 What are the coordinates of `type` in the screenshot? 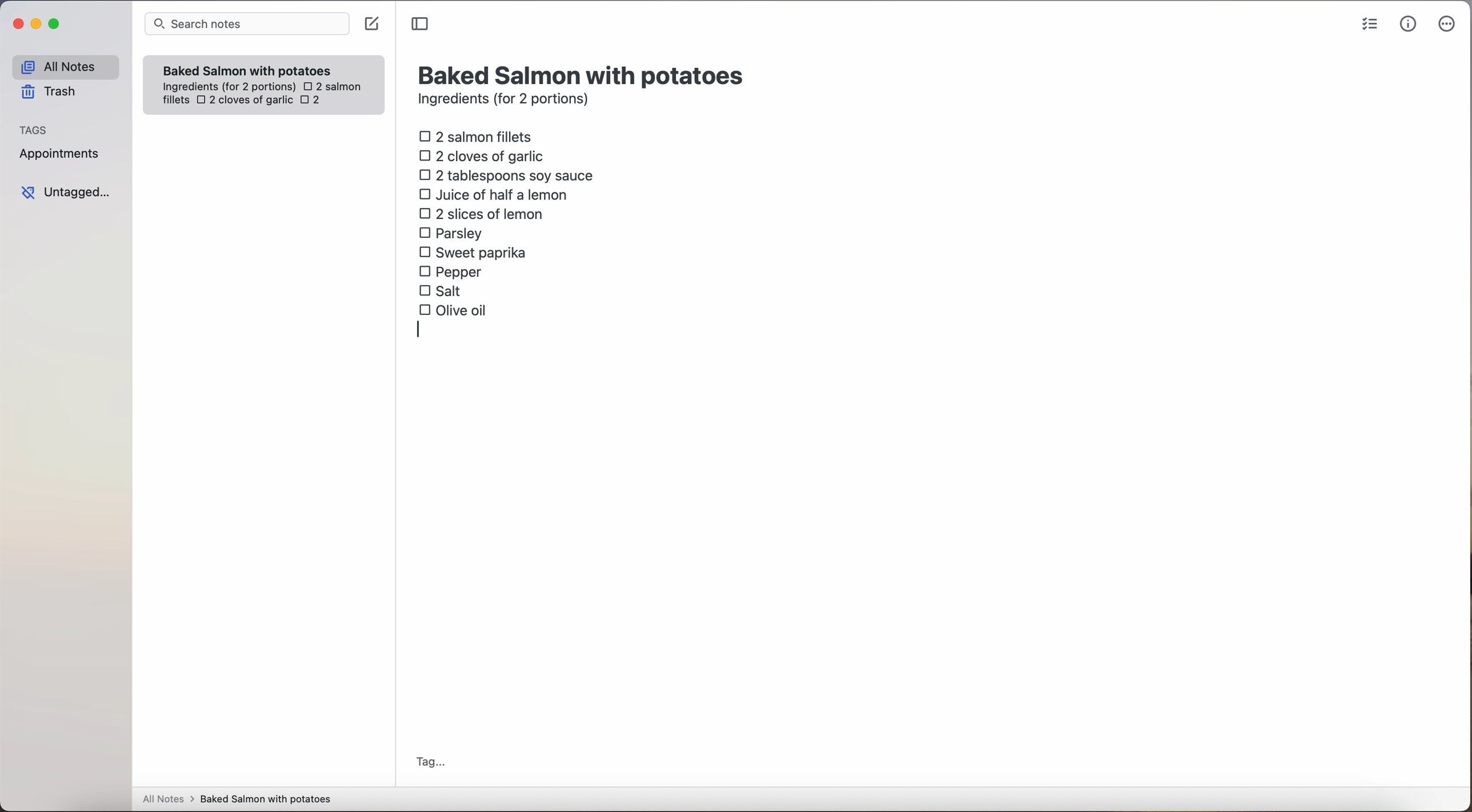 It's located at (418, 330).